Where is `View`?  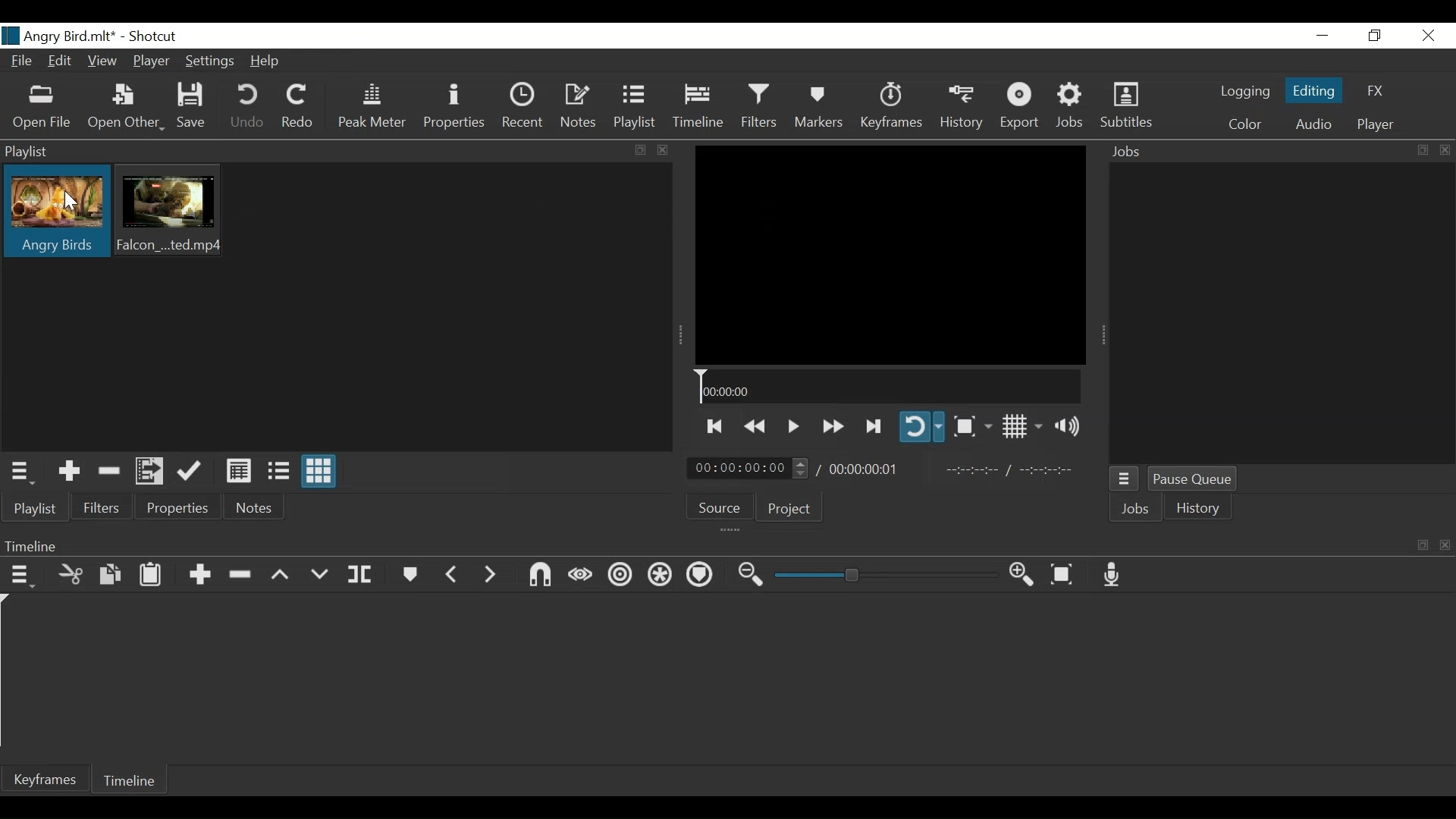
View is located at coordinates (102, 61).